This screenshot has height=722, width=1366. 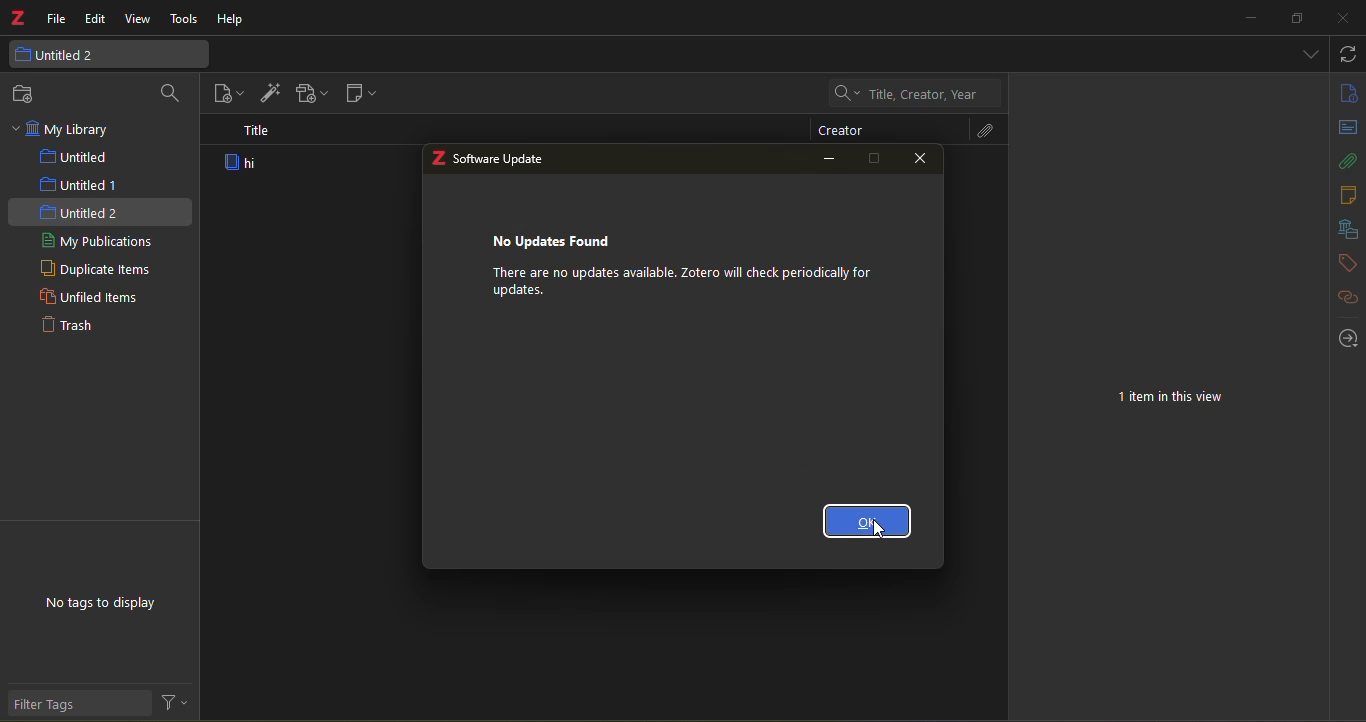 What do you see at coordinates (258, 133) in the screenshot?
I see `title` at bounding box center [258, 133].